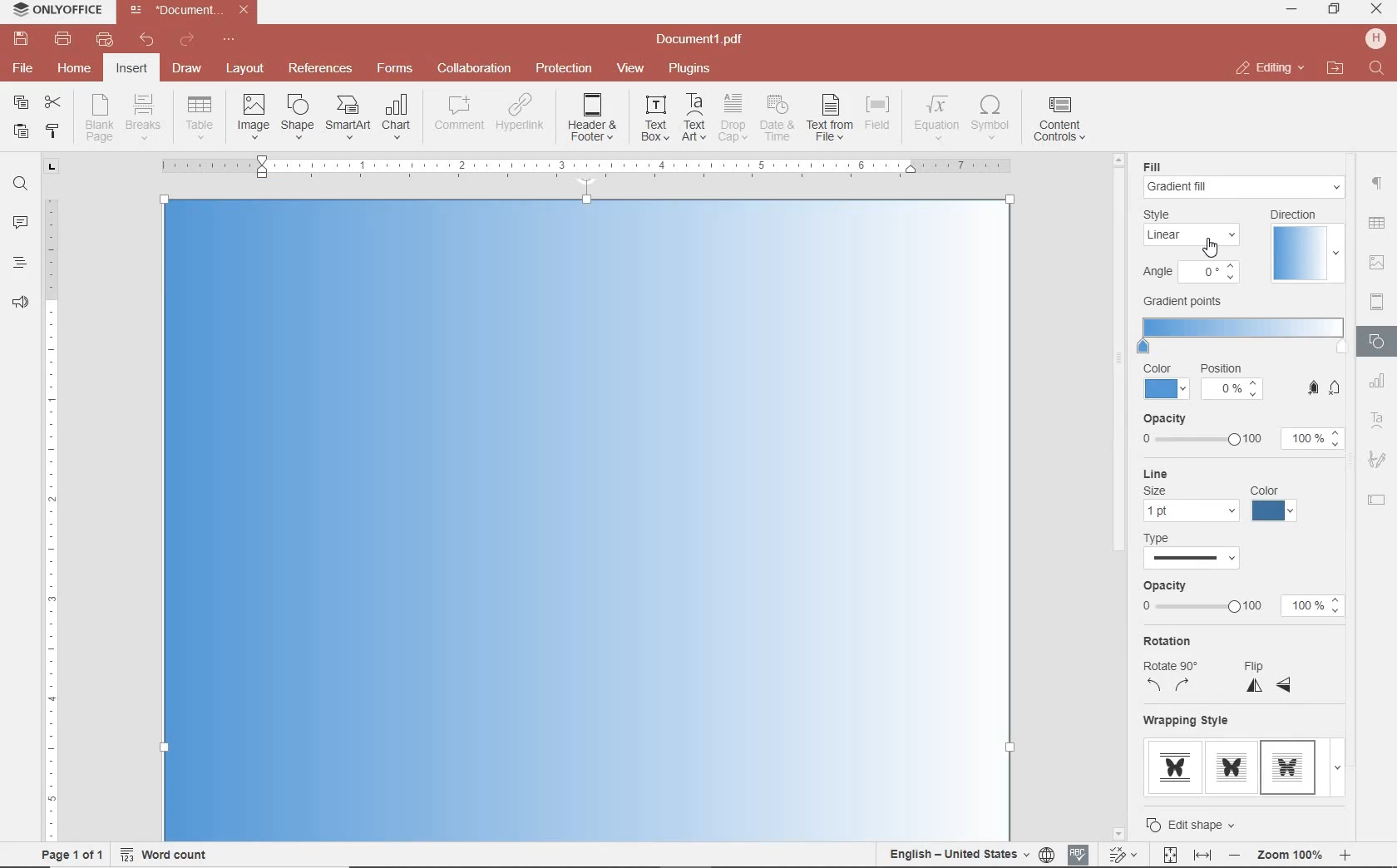  Describe the element at coordinates (296, 116) in the screenshot. I see `INSERT SHAPE` at that location.